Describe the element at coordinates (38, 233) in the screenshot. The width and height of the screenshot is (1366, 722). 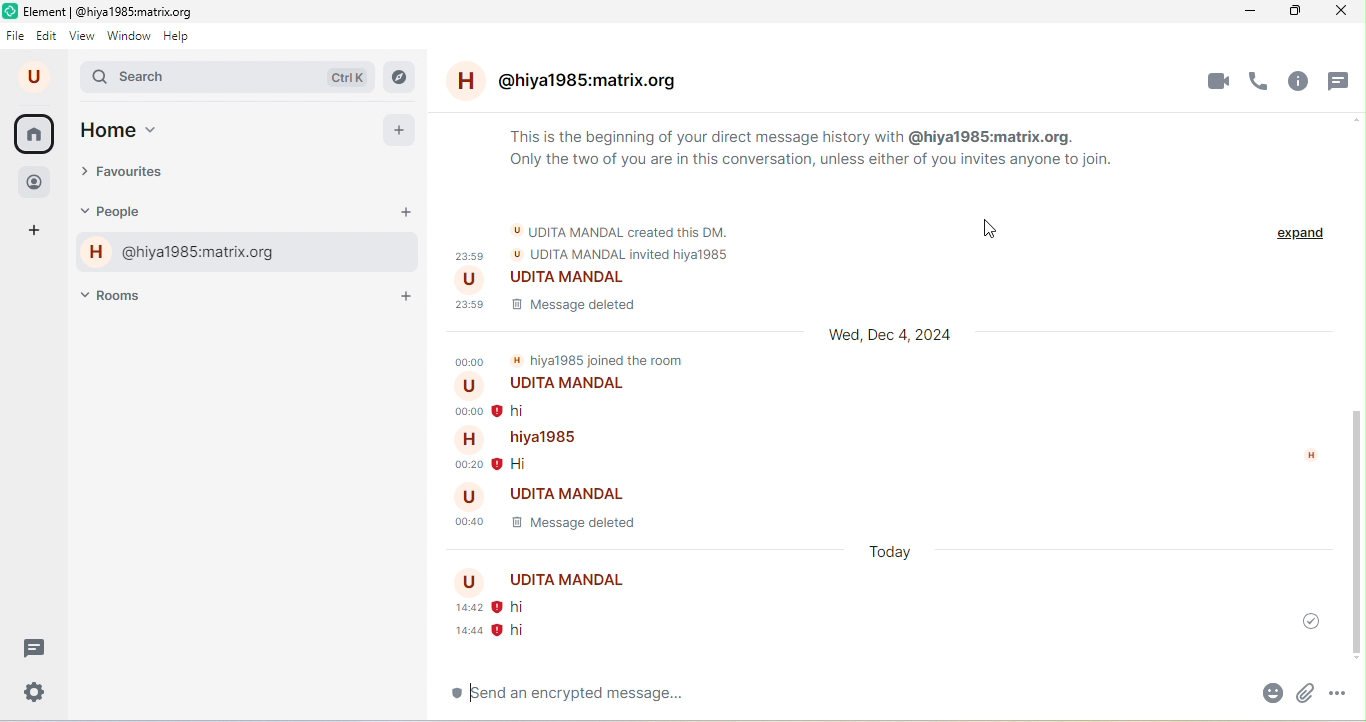
I see `add space` at that location.